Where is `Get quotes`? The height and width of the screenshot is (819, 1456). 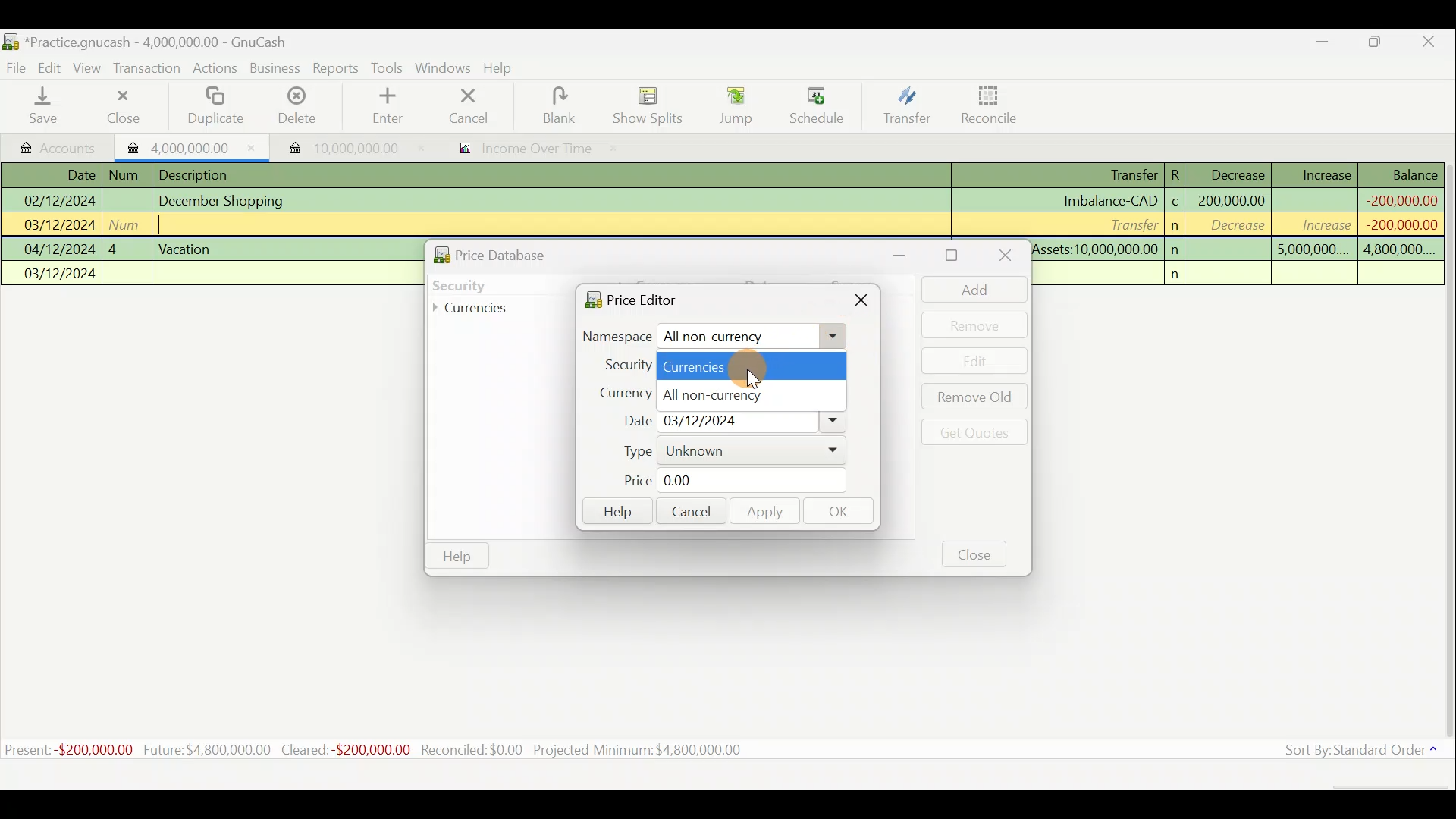
Get quotes is located at coordinates (971, 431).